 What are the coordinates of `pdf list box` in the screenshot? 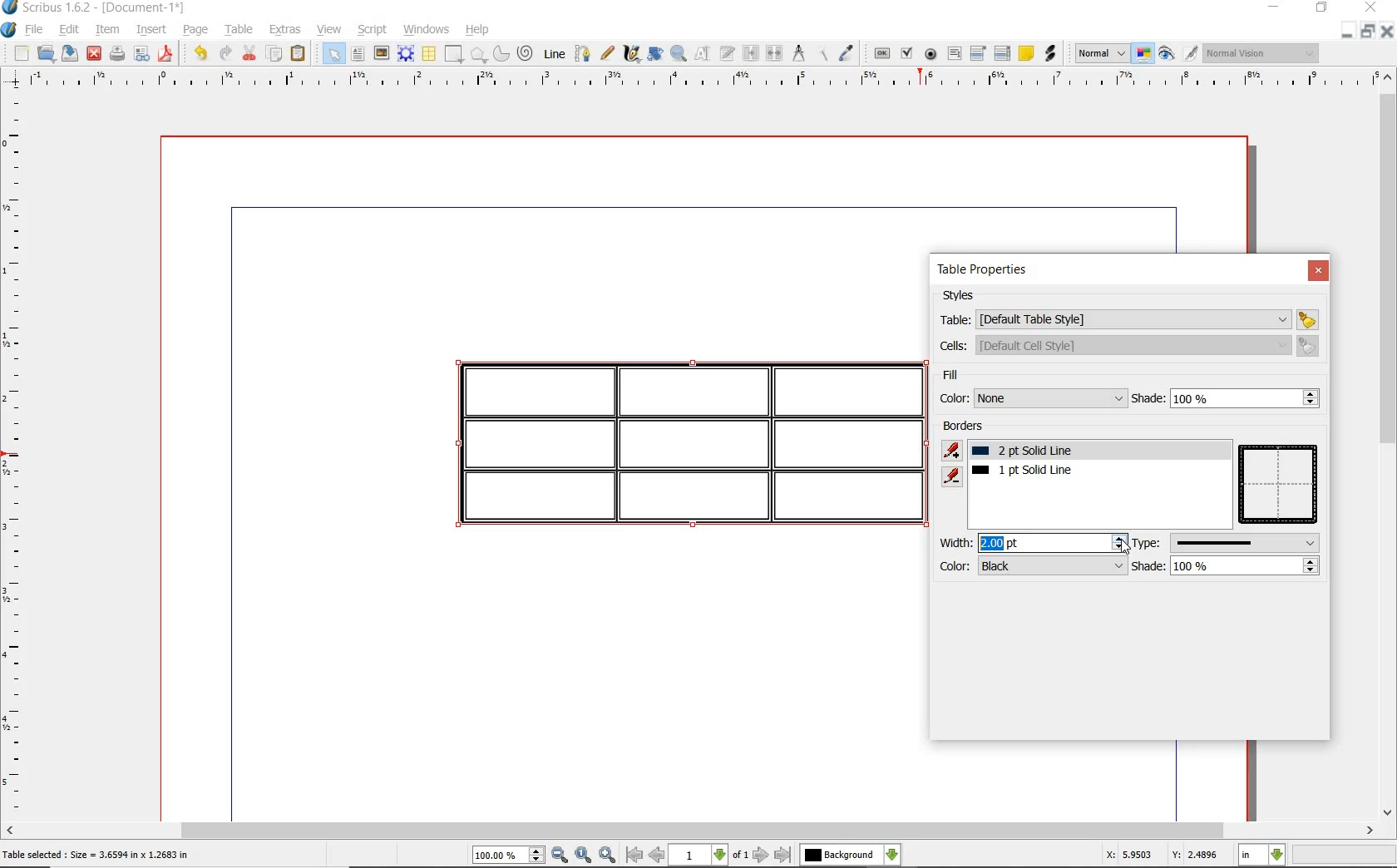 It's located at (1003, 53).